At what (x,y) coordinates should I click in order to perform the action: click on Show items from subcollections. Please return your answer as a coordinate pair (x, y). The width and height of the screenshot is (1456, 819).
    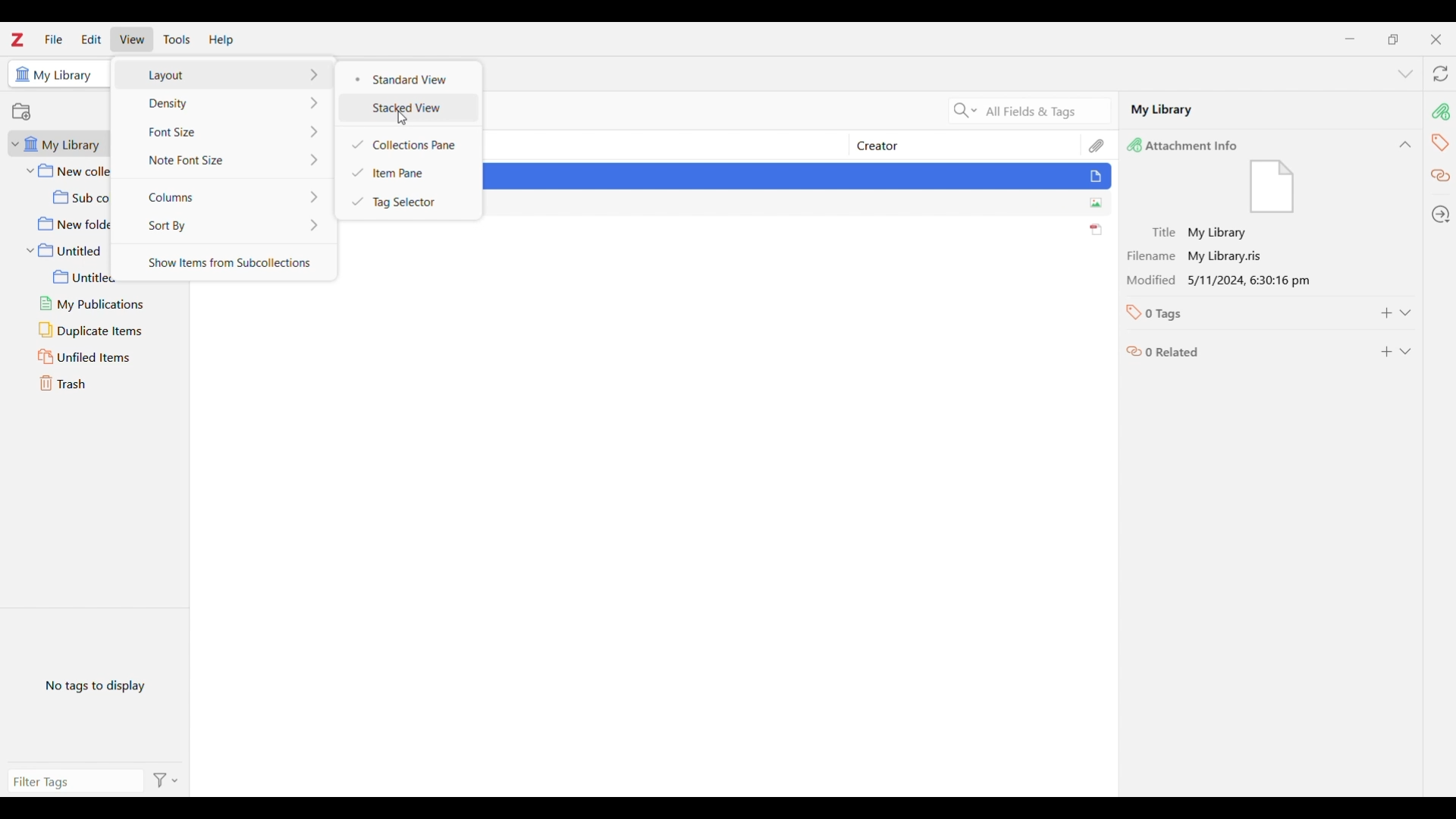
    Looking at the image, I should click on (227, 261).